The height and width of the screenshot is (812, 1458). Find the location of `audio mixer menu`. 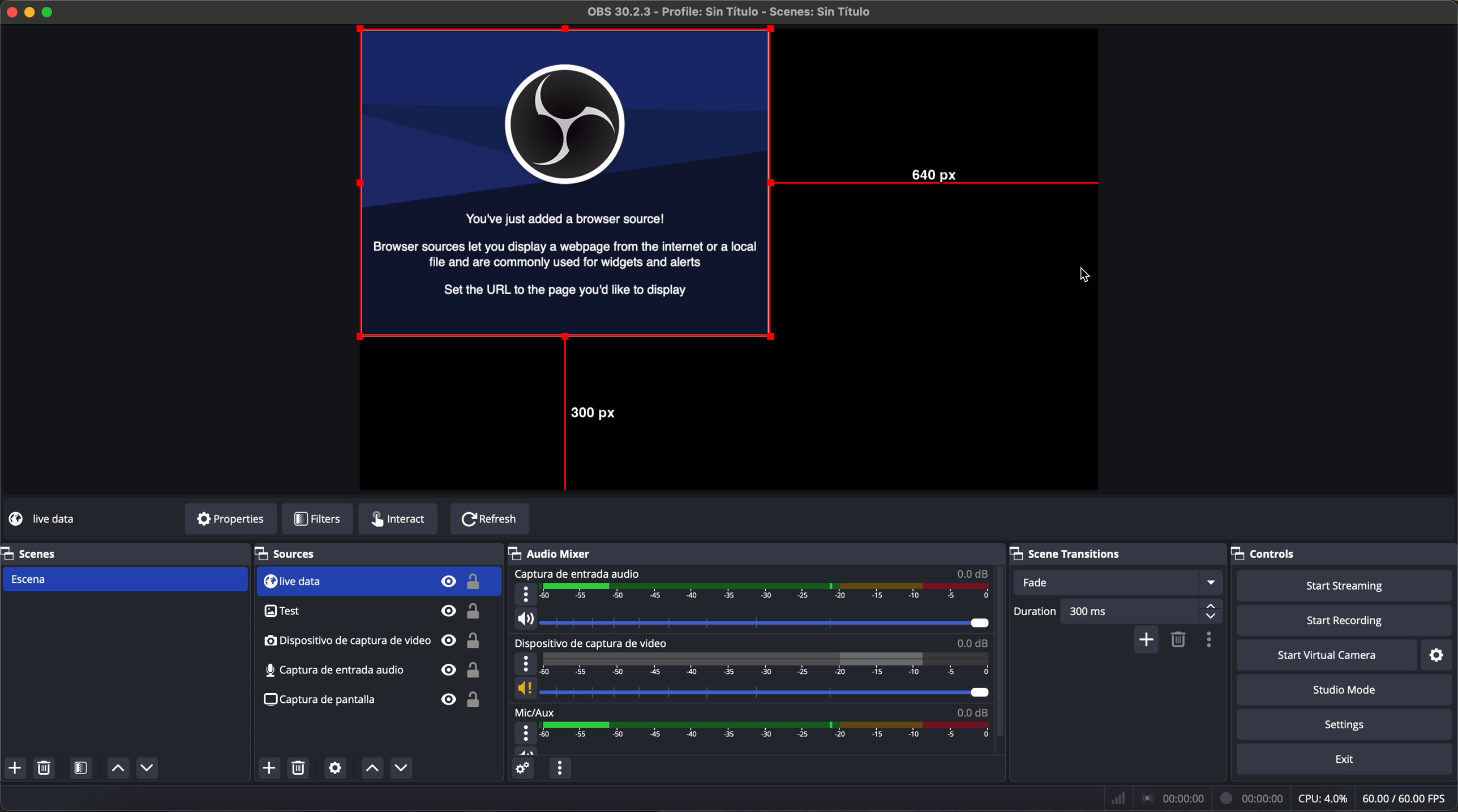

audio mixer menu is located at coordinates (560, 767).